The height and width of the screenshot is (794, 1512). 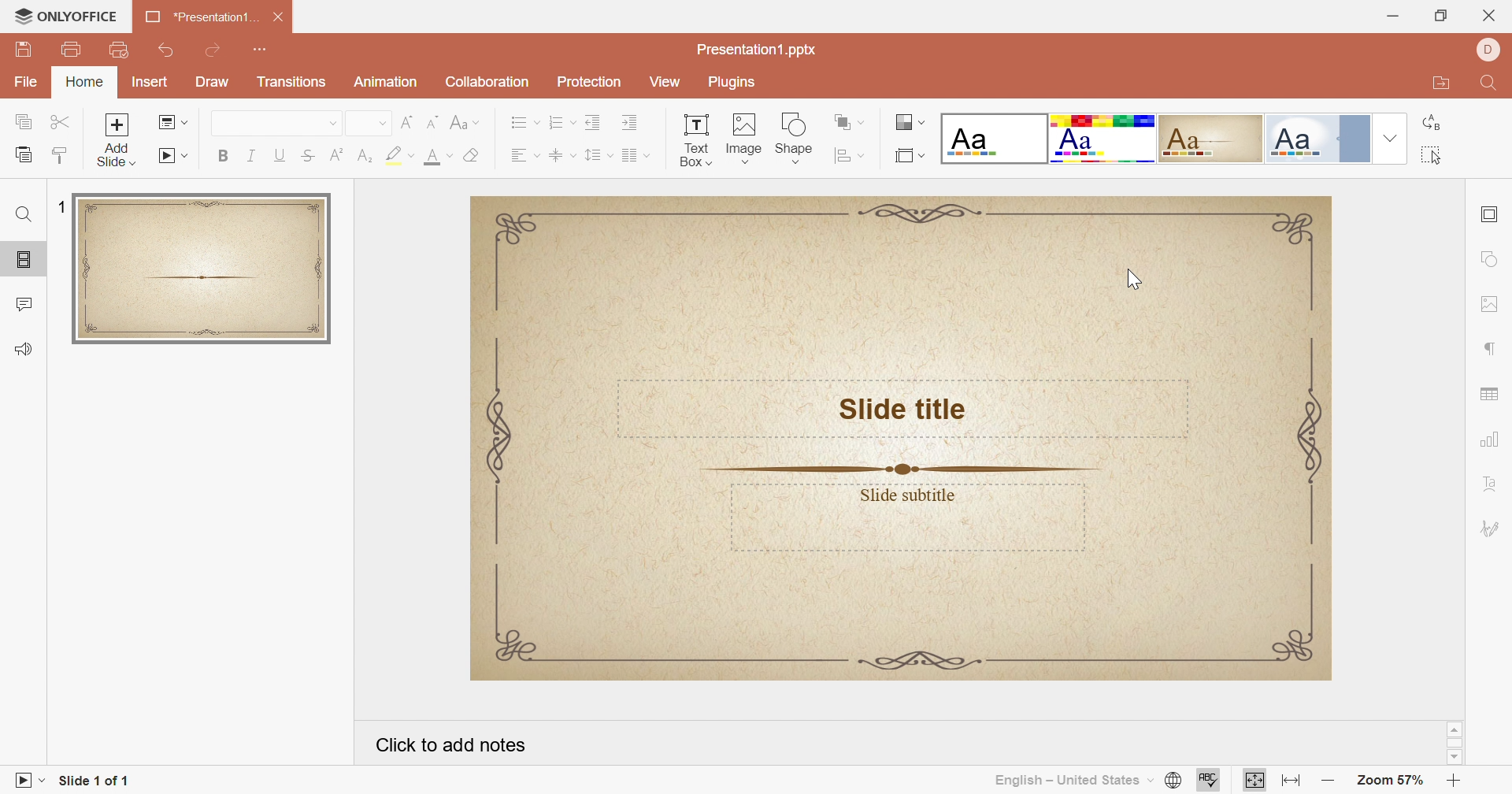 What do you see at coordinates (24, 349) in the screenshot?
I see `Feedback & Support` at bounding box center [24, 349].